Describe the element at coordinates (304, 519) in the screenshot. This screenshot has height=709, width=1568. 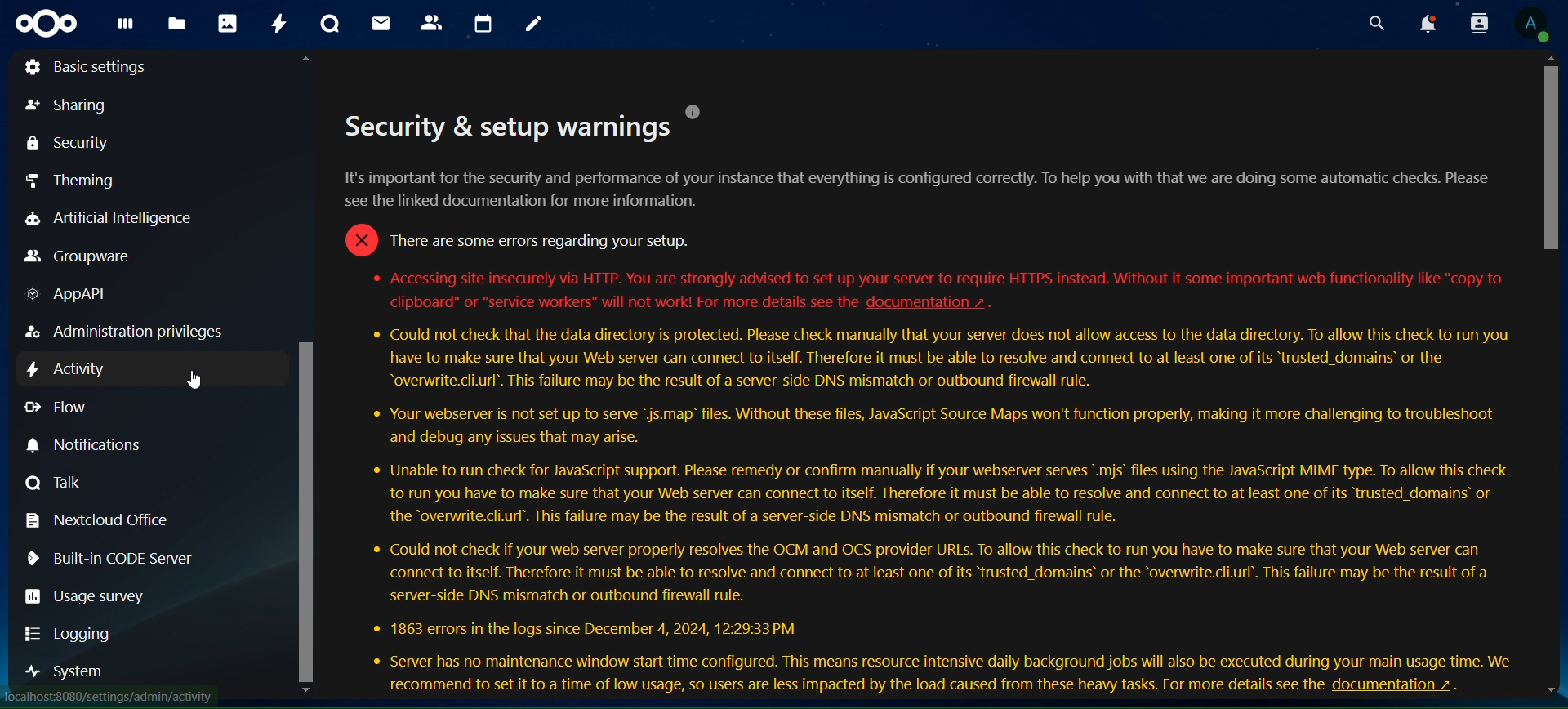
I see `scrollbar` at that location.